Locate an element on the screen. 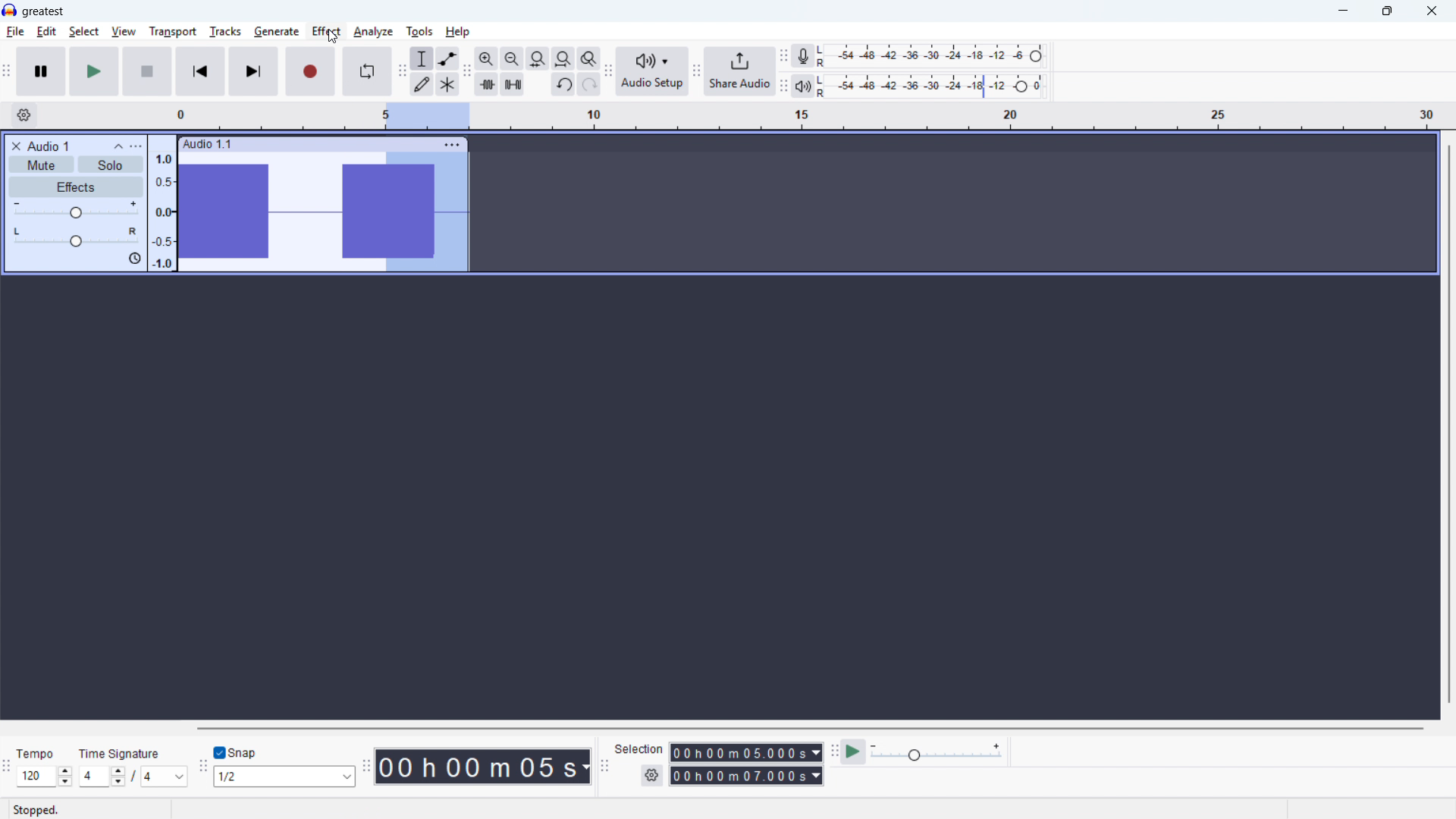 Image resolution: width=1456 pixels, height=819 pixels. Play at speed  is located at coordinates (853, 753).